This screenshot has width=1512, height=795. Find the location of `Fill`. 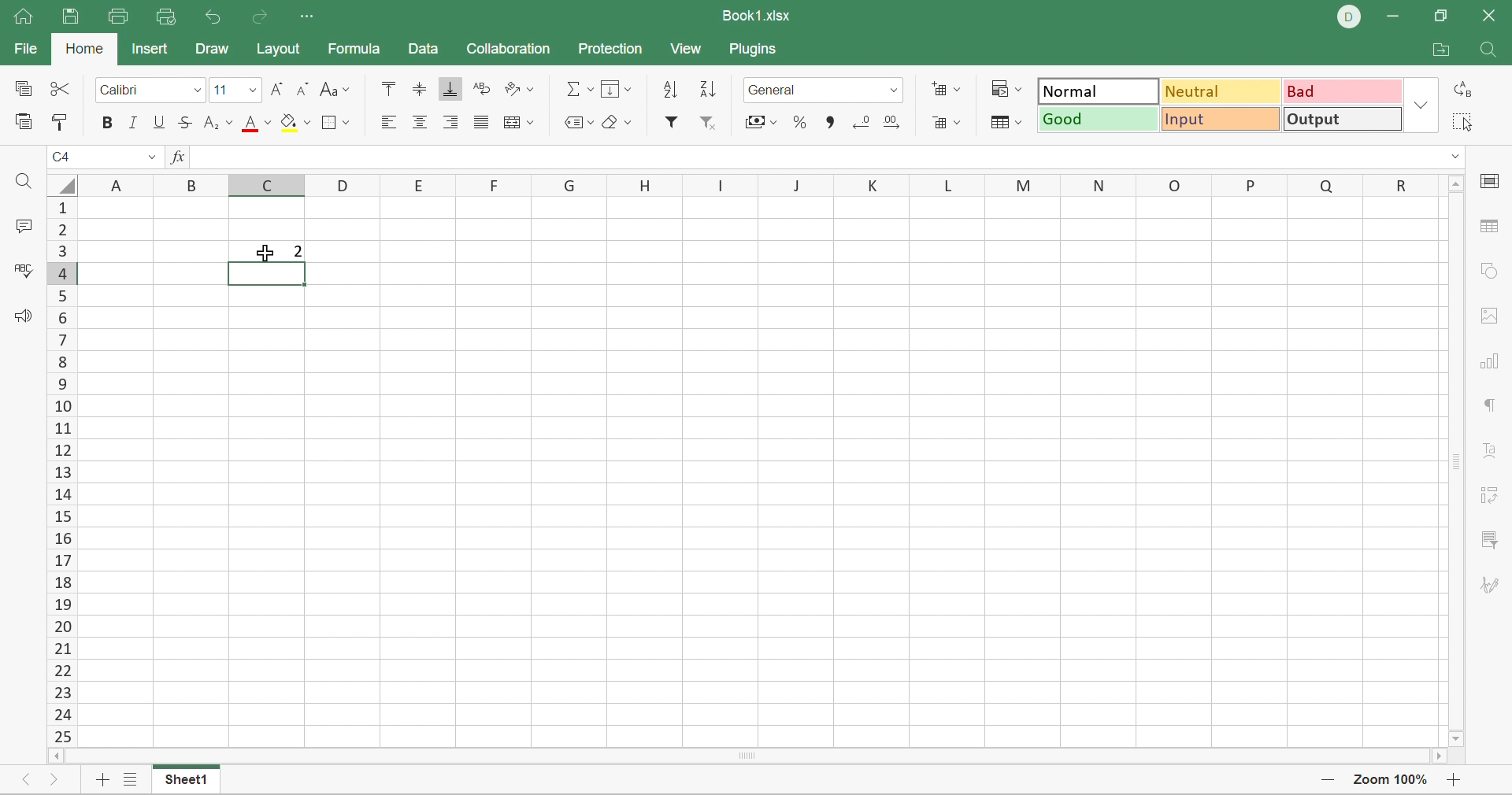

Fill is located at coordinates (618, 87).